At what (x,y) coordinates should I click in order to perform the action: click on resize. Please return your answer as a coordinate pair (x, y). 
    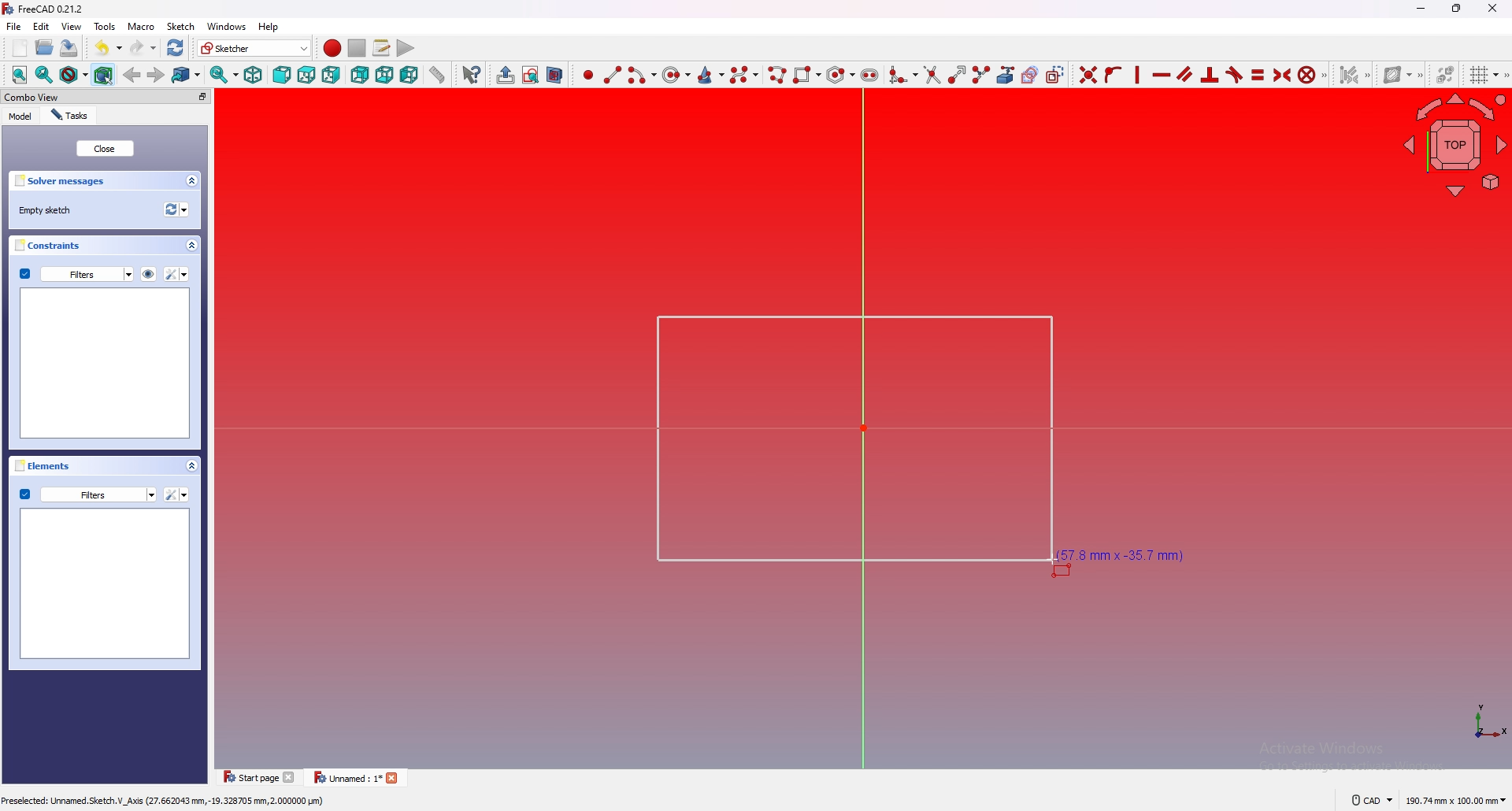
    Looking at the image, I should click on (1457, 9).